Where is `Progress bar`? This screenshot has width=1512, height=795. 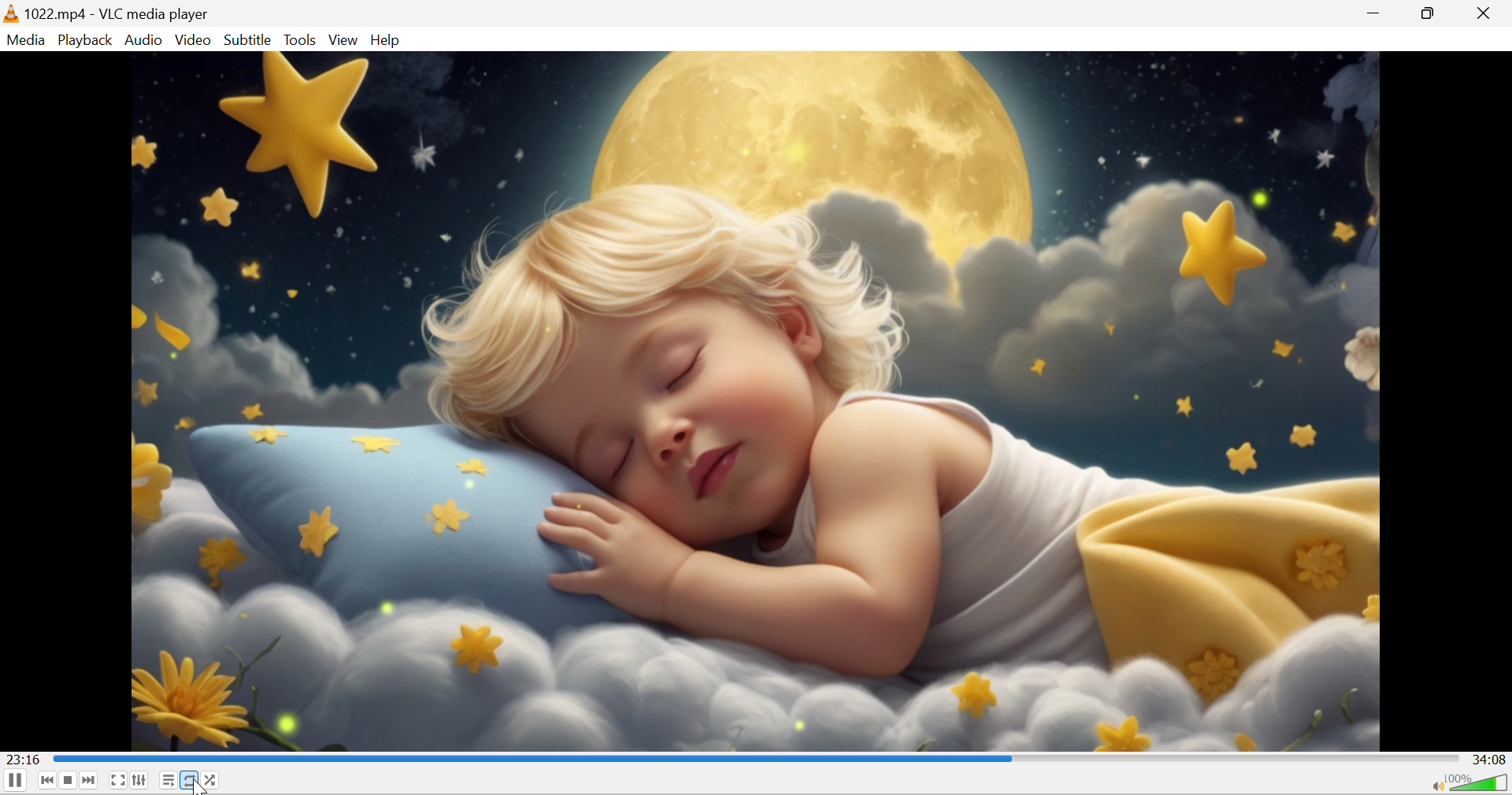 Progress bar is located at coordinates (756, 756).